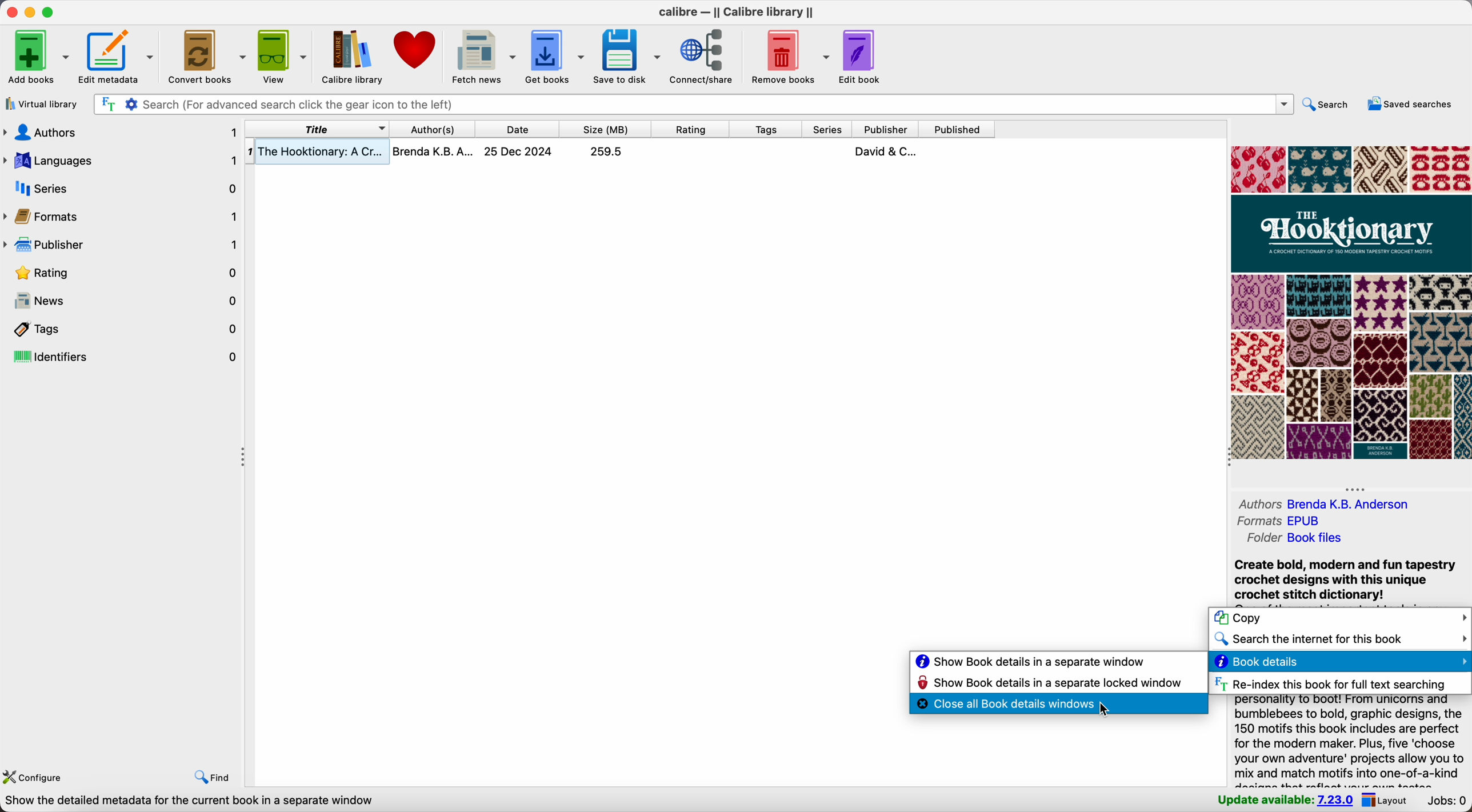  I want to click on jobs: 0, so click(1448, 802).